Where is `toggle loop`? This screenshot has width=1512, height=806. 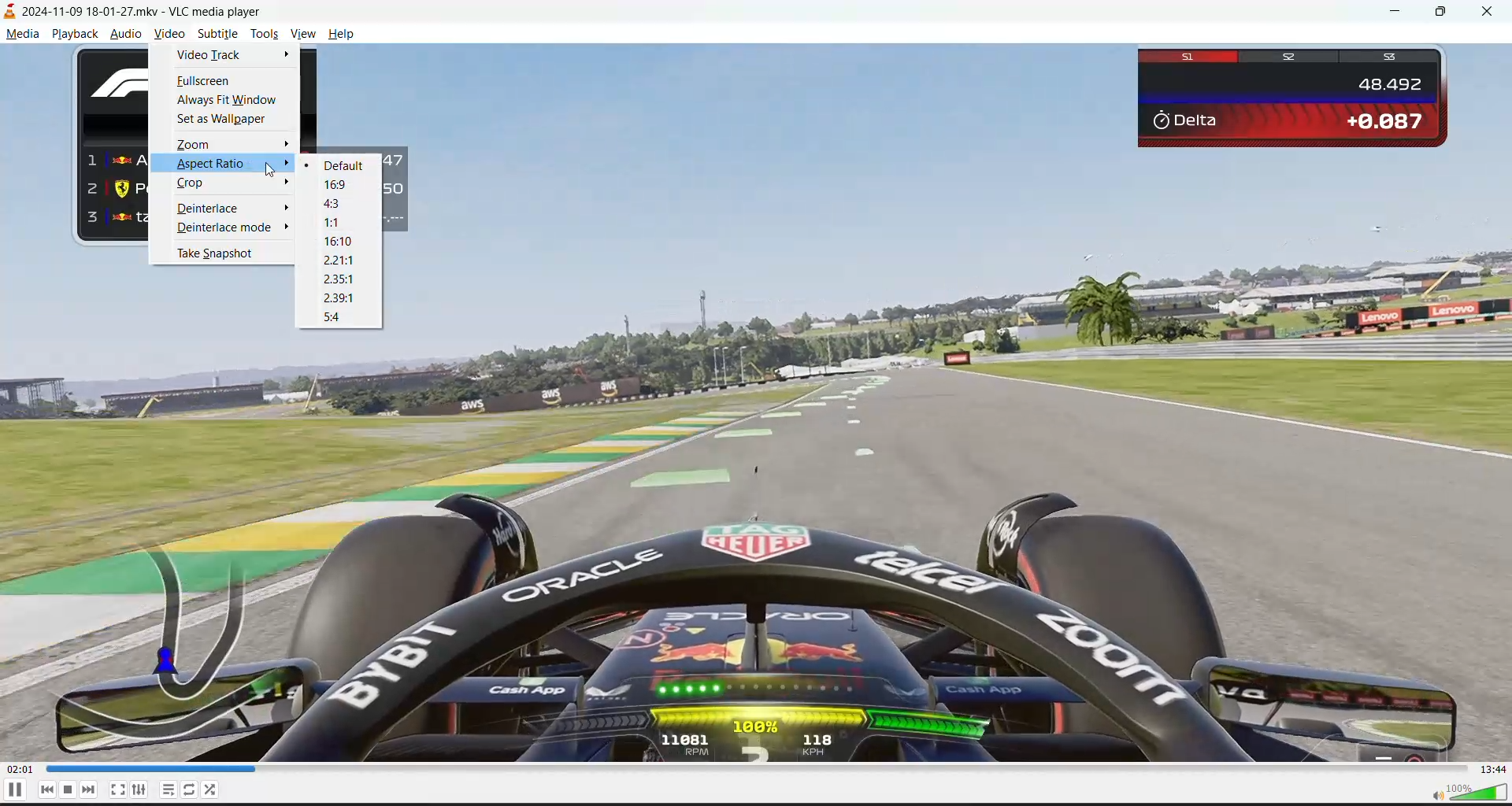 toggle loop is located at coordinates (190, 789).